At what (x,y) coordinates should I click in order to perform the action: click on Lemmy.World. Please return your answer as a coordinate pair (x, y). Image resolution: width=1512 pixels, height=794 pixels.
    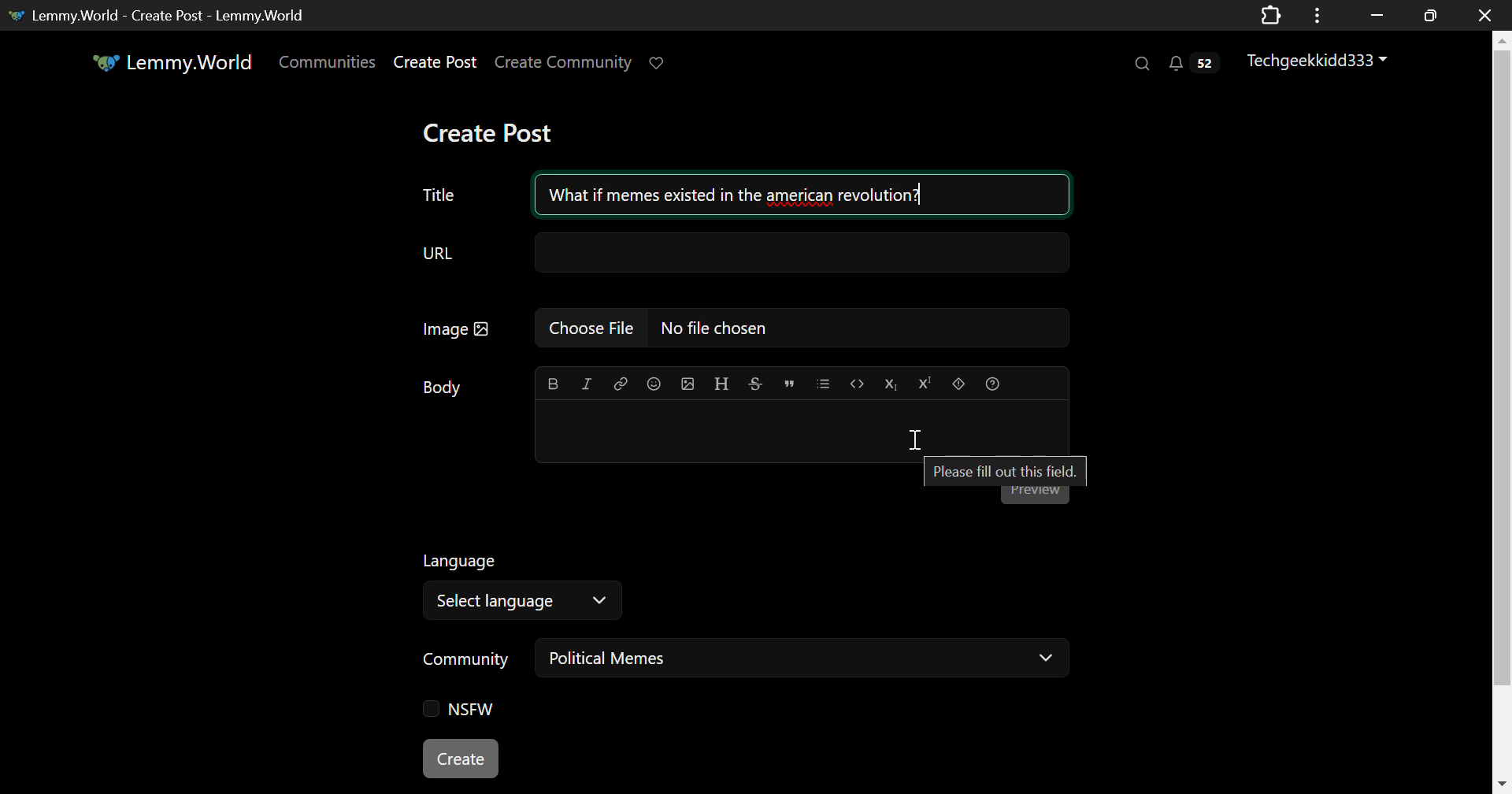
    Looking at the image, I should click on (171, 61).